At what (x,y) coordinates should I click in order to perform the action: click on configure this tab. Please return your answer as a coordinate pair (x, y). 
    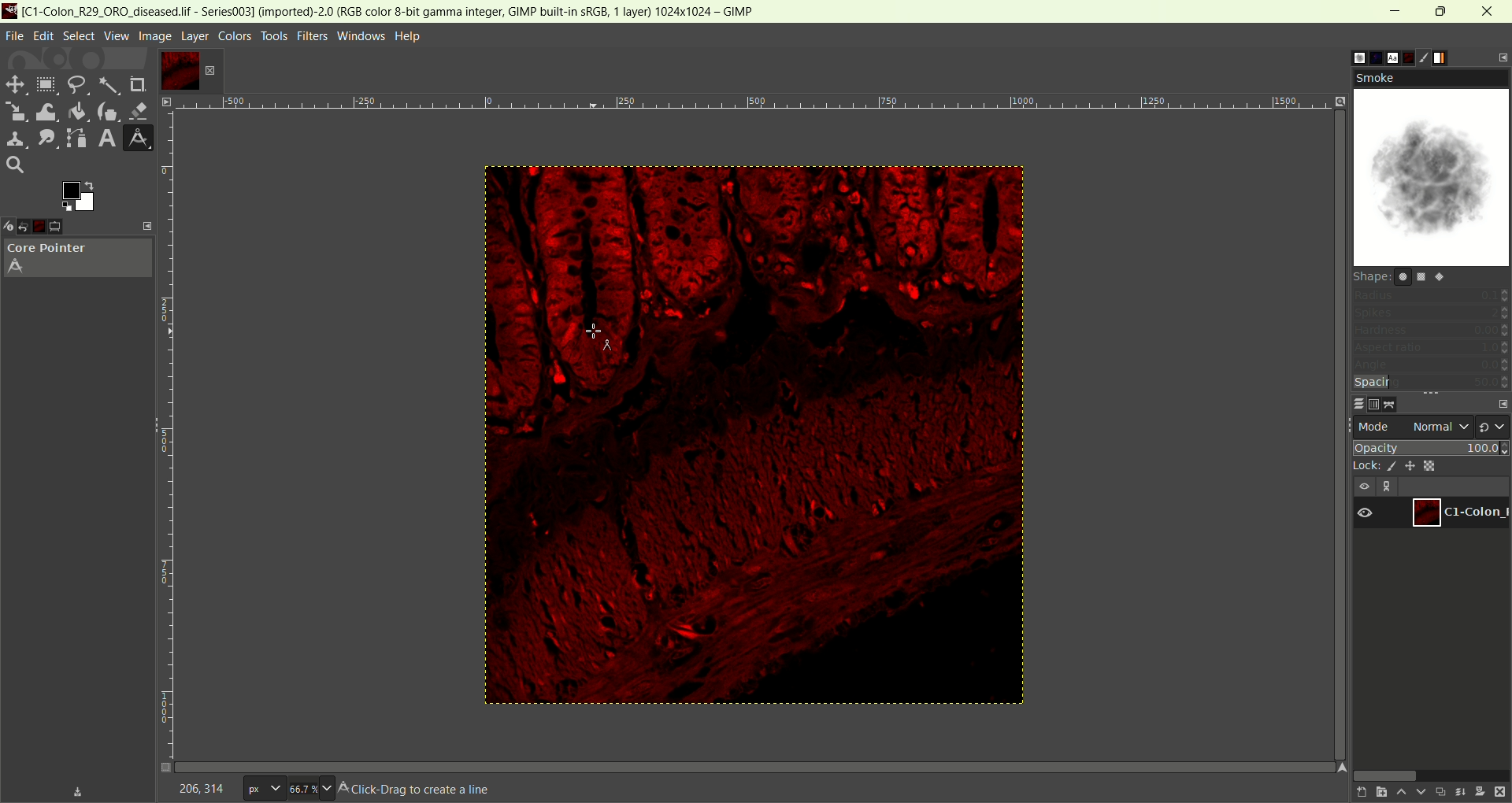
    Looking at the image, I should click on (148, 225).